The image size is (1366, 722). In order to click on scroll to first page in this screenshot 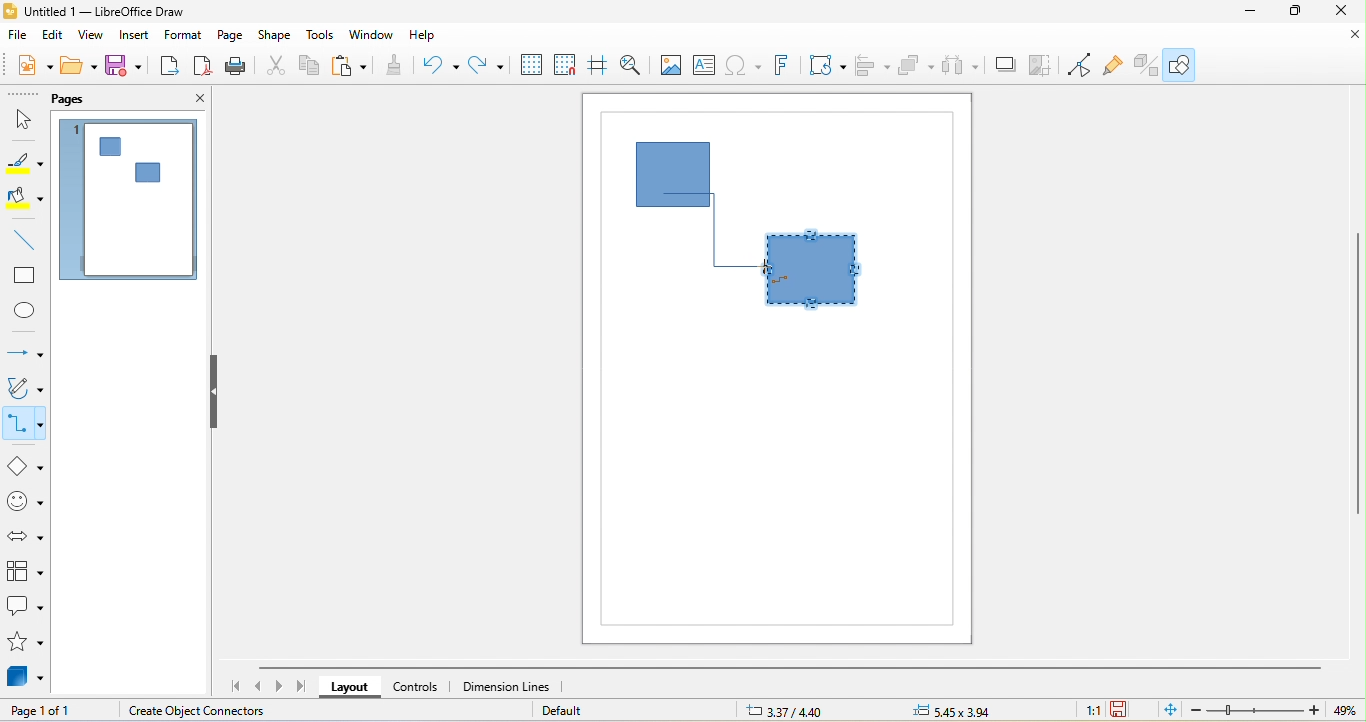, I will do `click(231, 687)`.